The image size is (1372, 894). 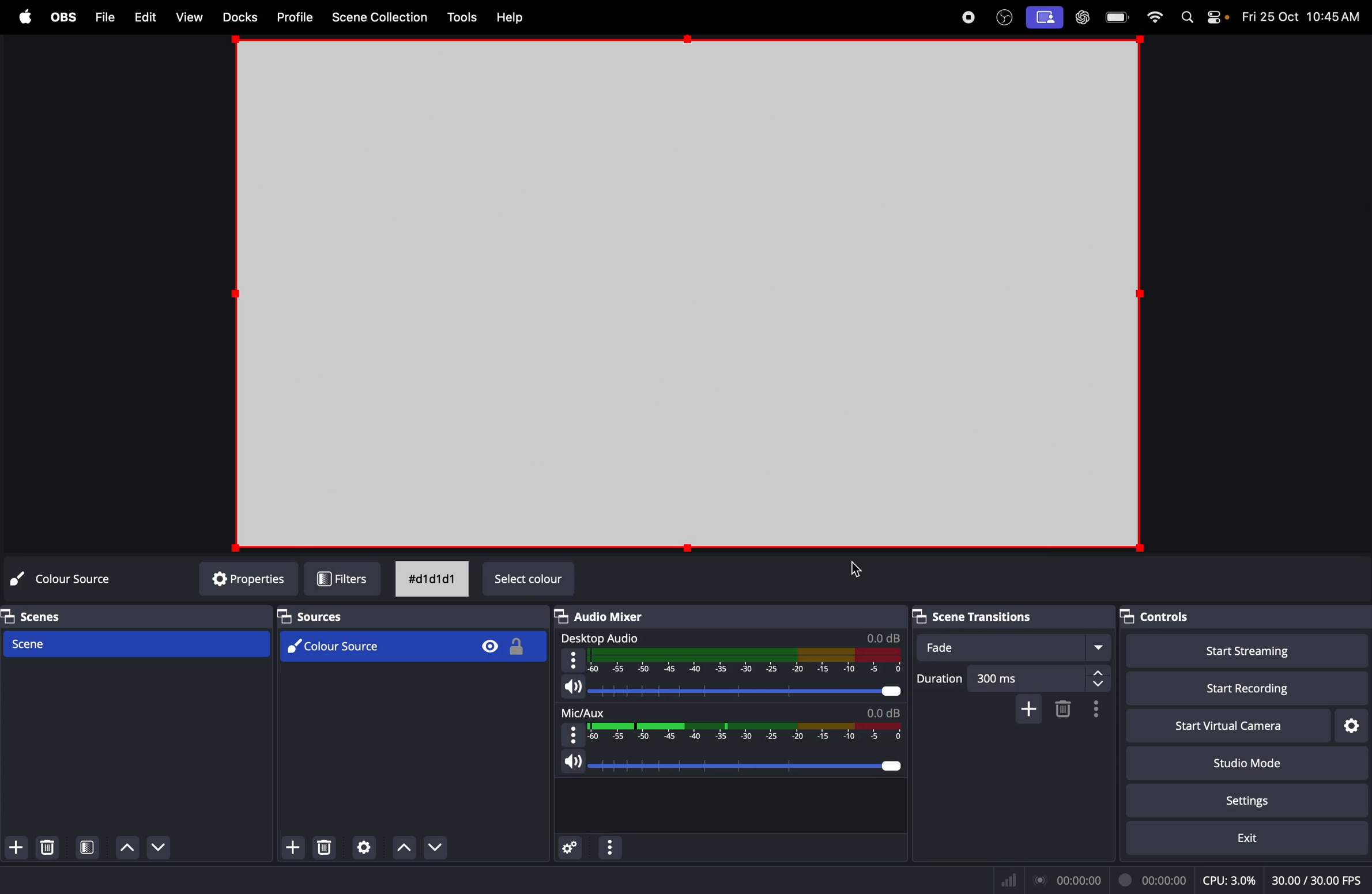 I want to click on fade, so click(x=1017, y=647).